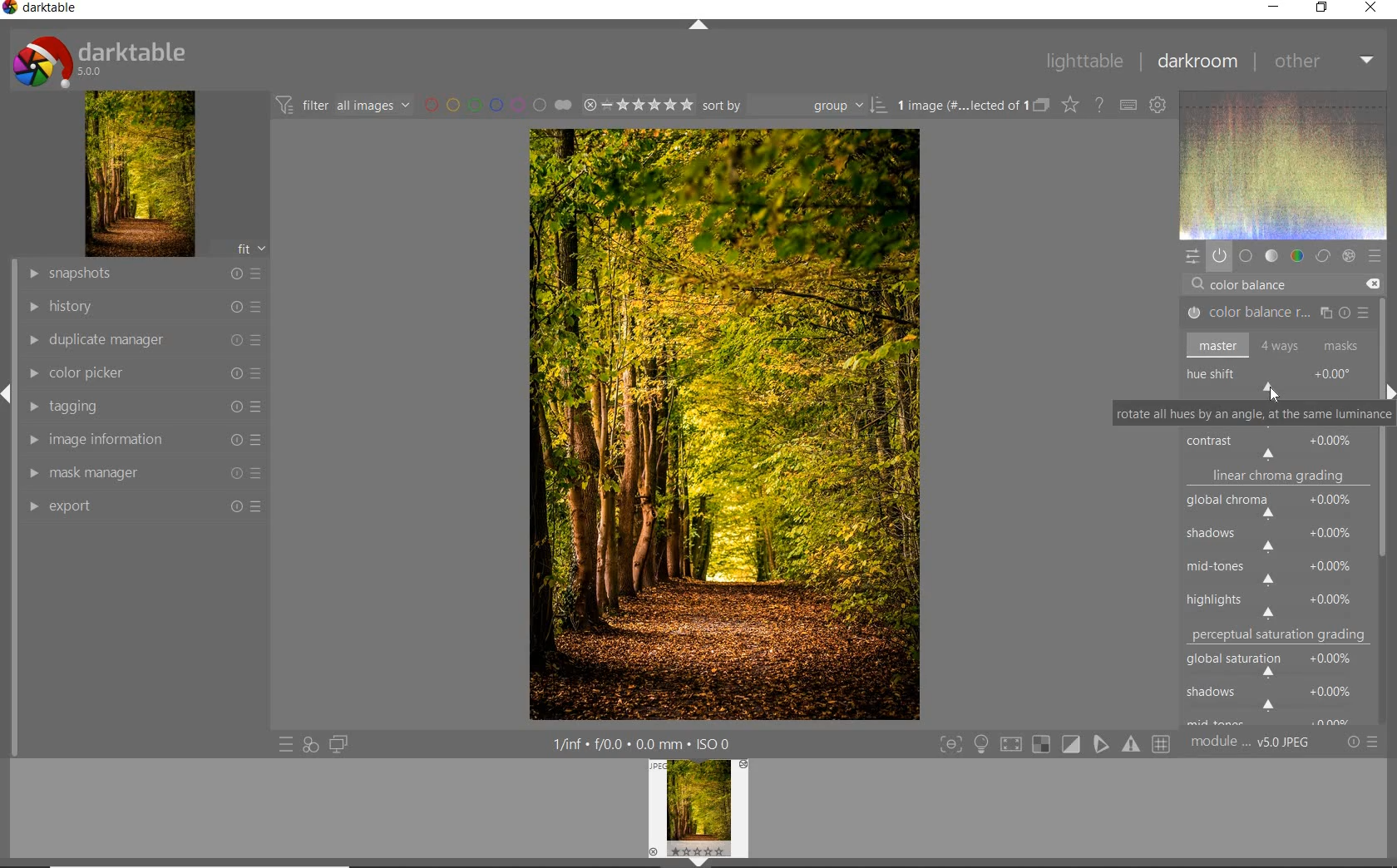 Image resolution: width=1397 pixels, height=868 pixels. I want to click on image, so click(141, 174).